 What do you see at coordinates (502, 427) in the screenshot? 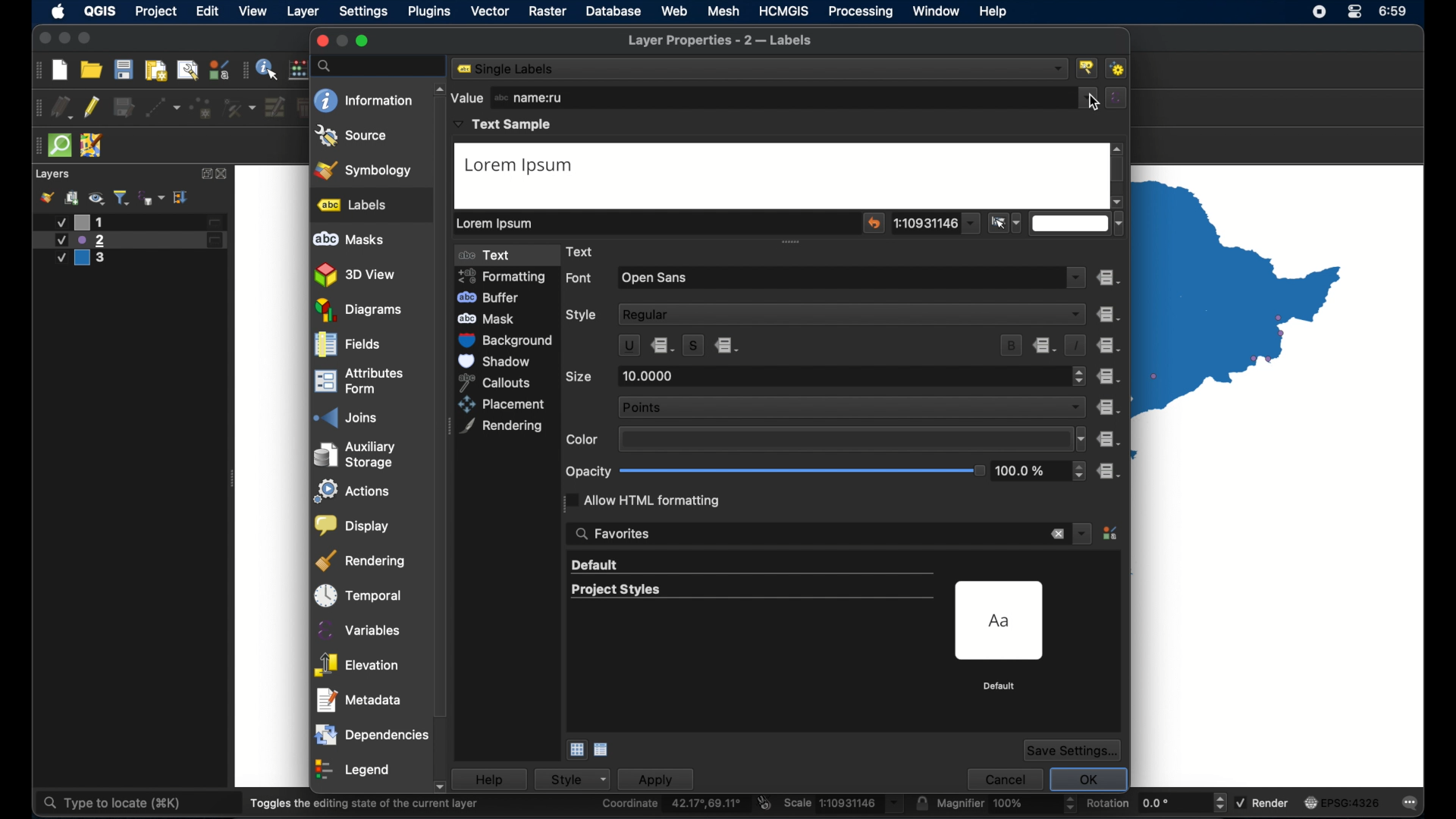
I see `rendering` at bounding box center [502, 427].